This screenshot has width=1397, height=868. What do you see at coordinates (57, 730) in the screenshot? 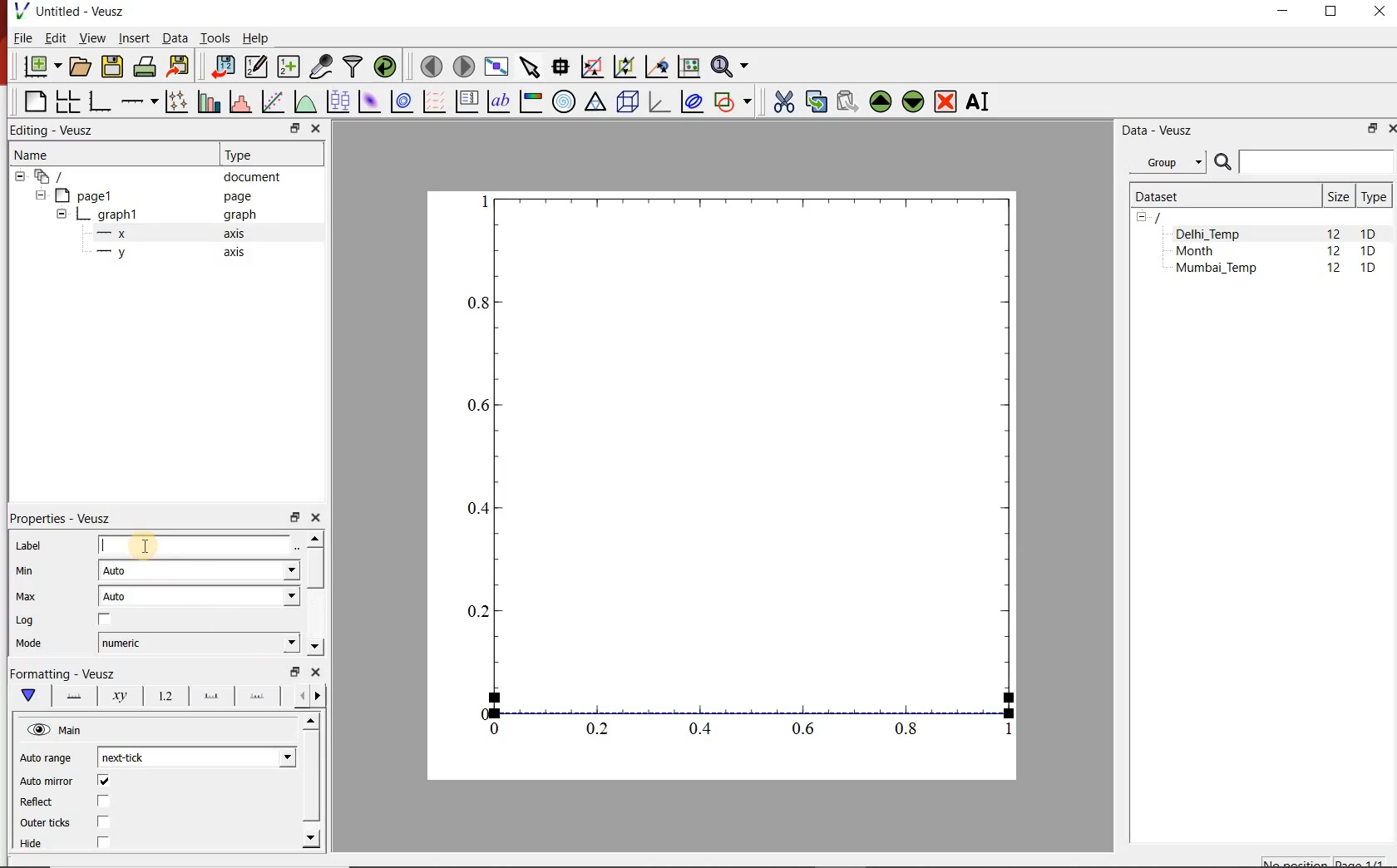
I see `Main` at bounding box center [57, 730].